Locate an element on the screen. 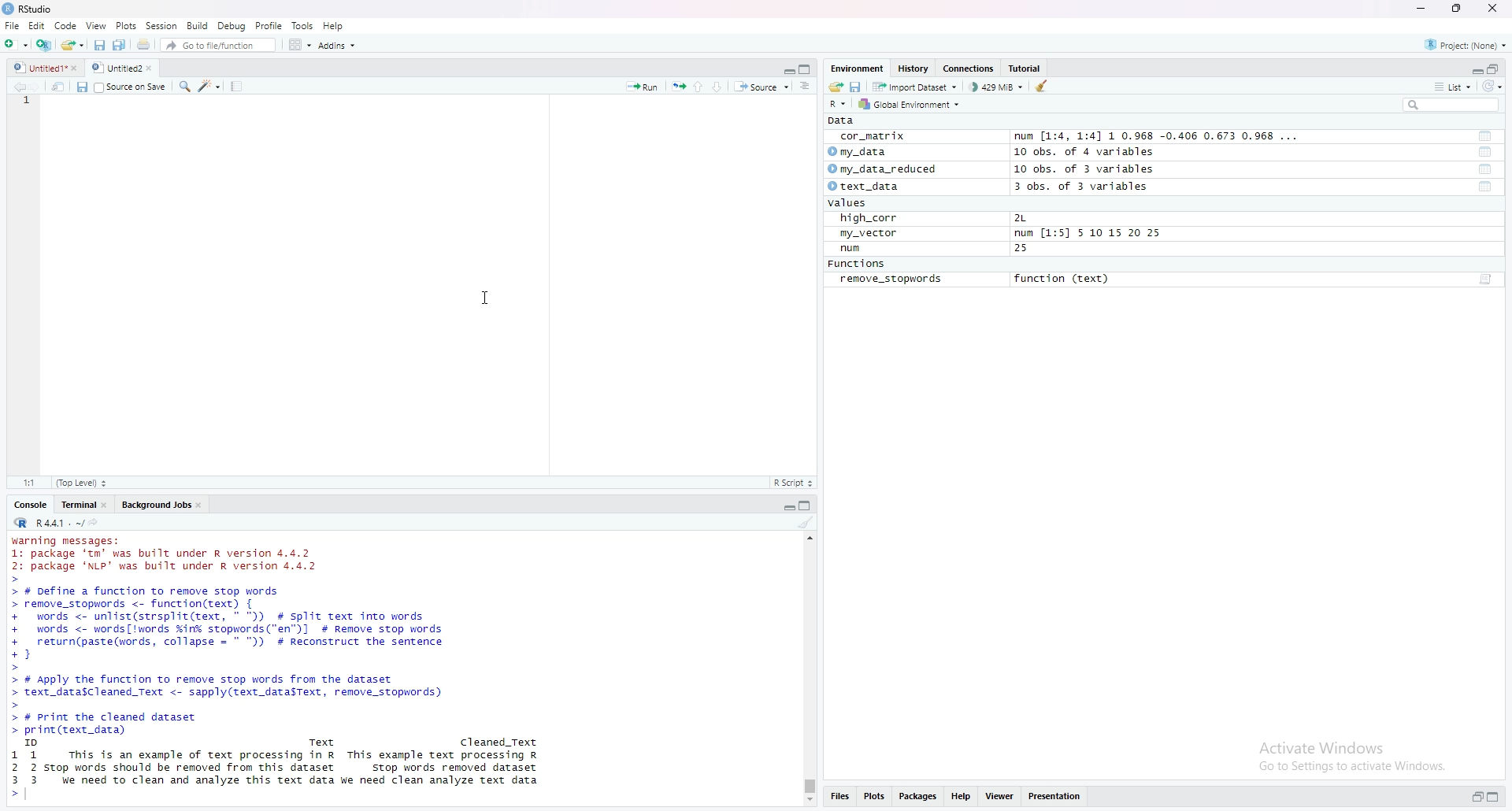  my_vector num [1:5] 5 10 15 20 25 is located at coordinates (1000, 233).